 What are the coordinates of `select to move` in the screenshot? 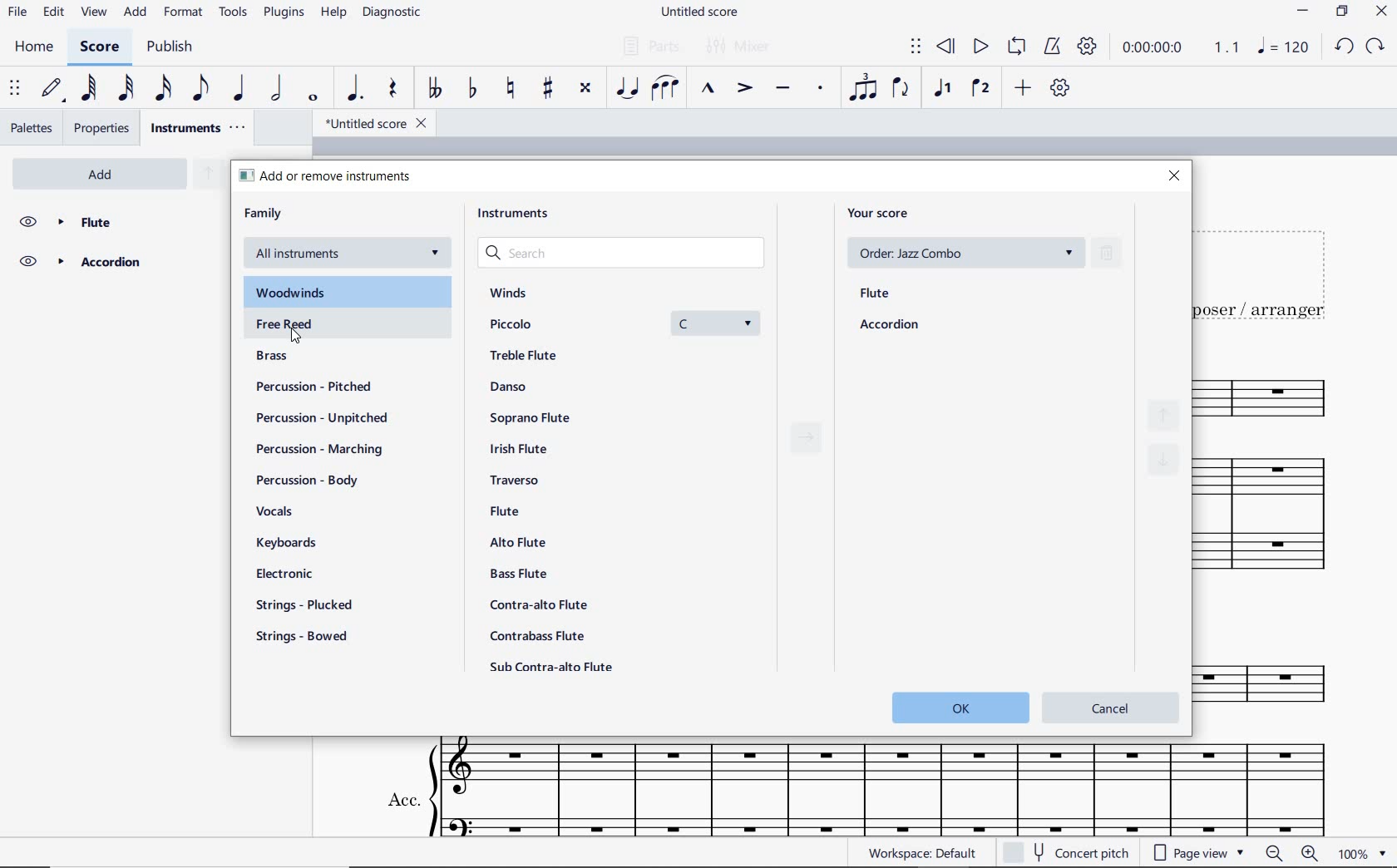 It's located at (916, 47).